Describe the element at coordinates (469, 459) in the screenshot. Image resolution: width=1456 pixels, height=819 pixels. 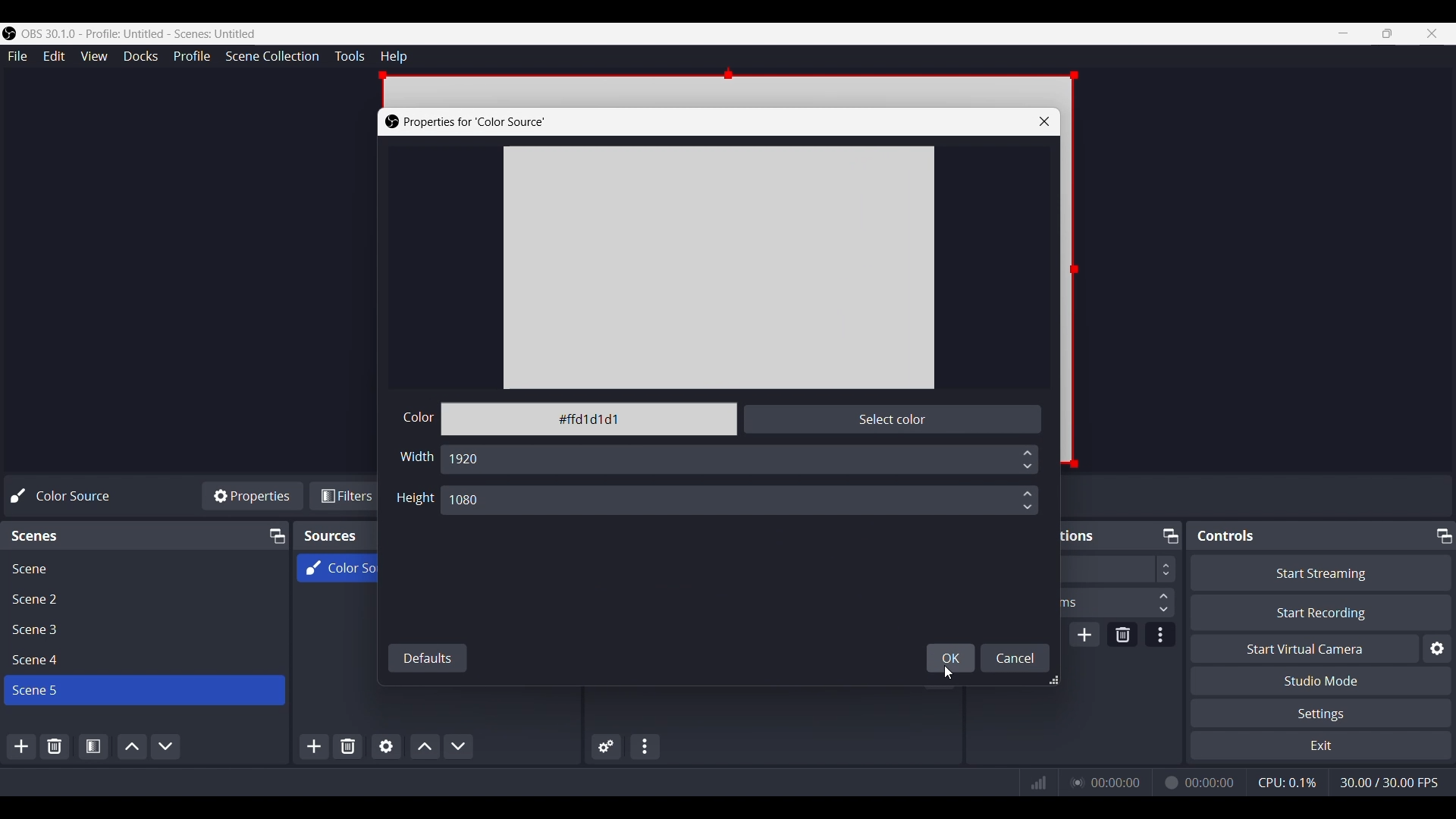
I see `1920` at that location.